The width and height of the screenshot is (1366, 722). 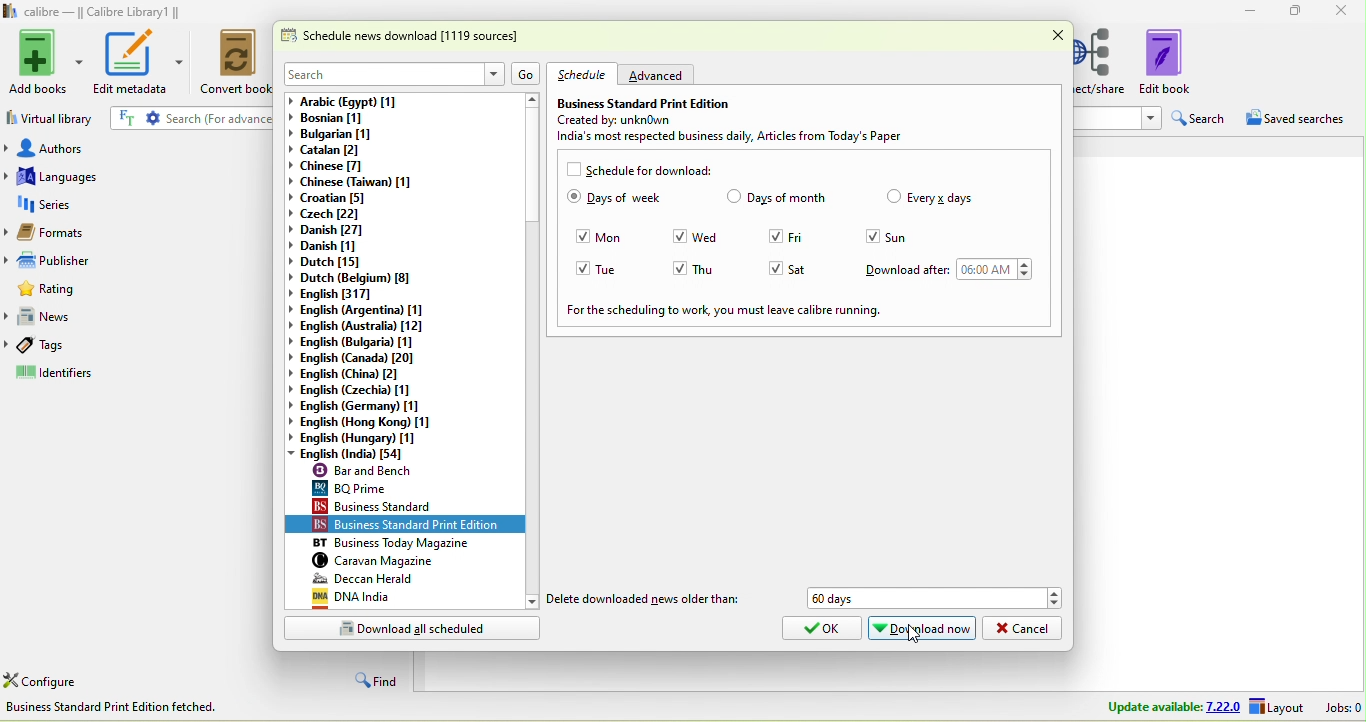 What do you see at coordinates (342, 152) in the screenshot?
I see `catalan[2]` at bounding box center [342, 152].